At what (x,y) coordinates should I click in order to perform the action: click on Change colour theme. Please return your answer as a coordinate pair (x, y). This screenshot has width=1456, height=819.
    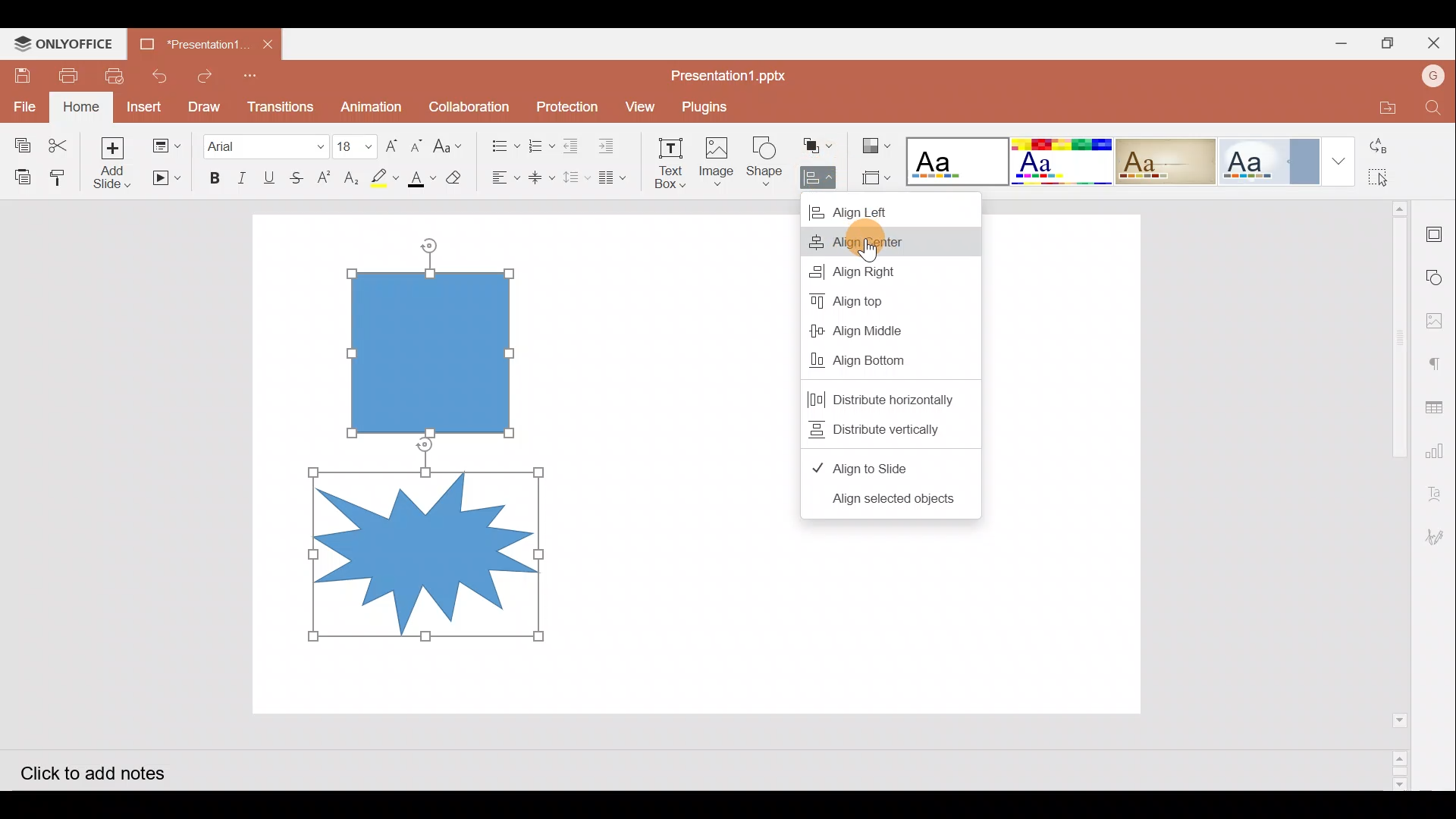
    Looking at the image, I should click on (878, 142).